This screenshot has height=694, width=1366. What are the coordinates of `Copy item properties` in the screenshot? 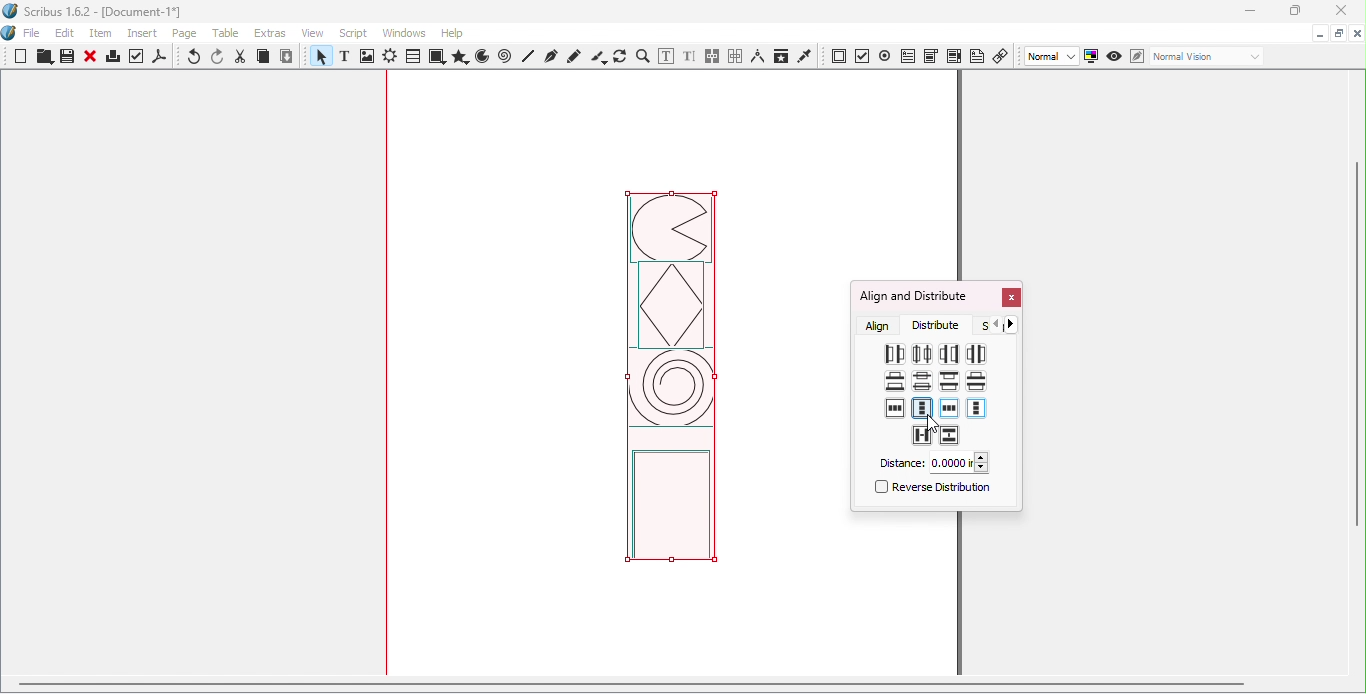 It's located at (780, 56).